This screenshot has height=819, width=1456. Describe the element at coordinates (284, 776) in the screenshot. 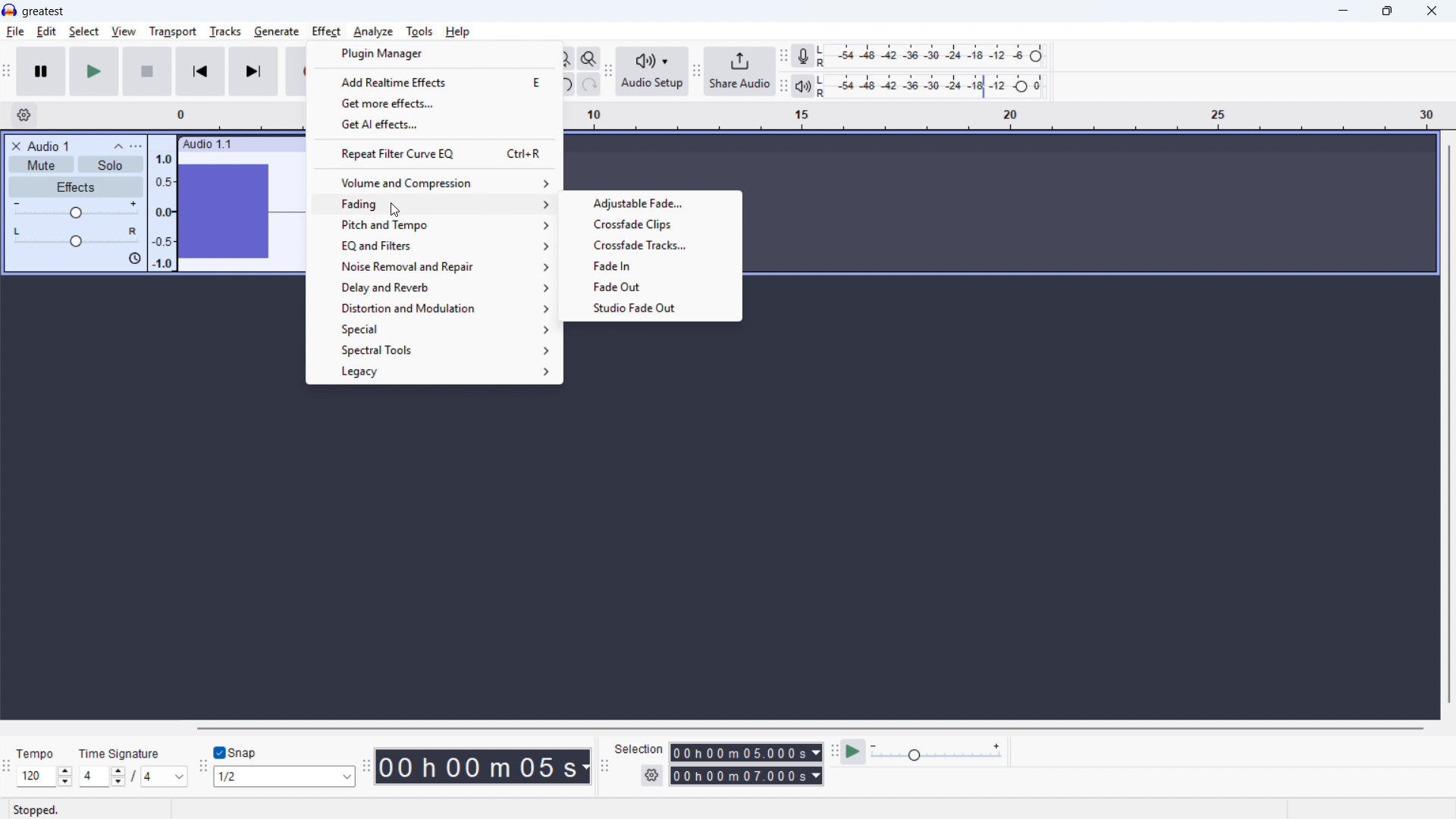

I see `Select snapping ` at that location.